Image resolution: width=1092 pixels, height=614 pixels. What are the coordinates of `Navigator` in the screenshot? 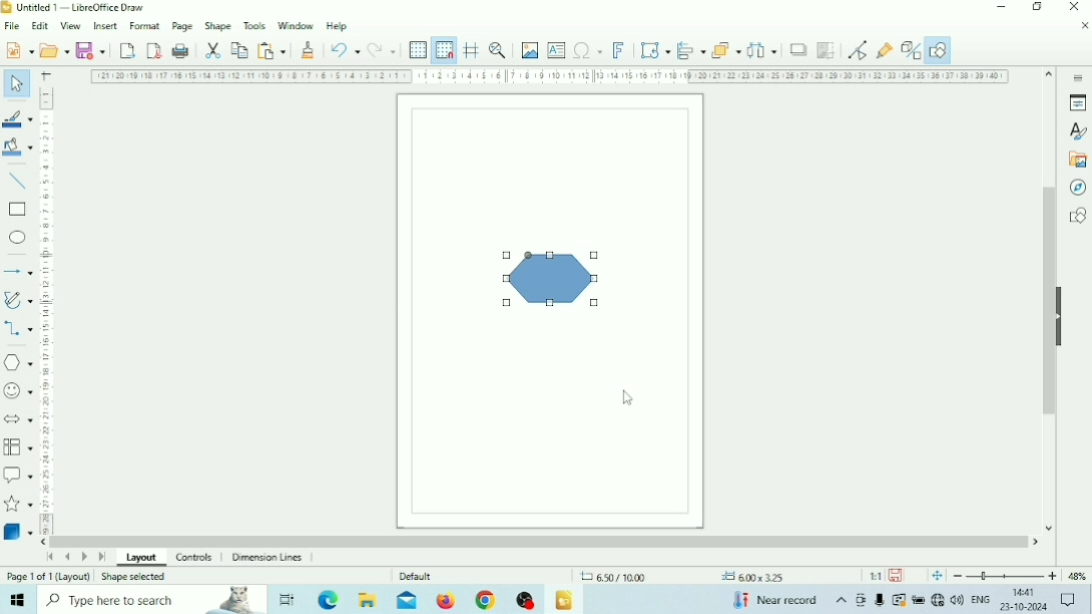 It's located at (1076, 188).